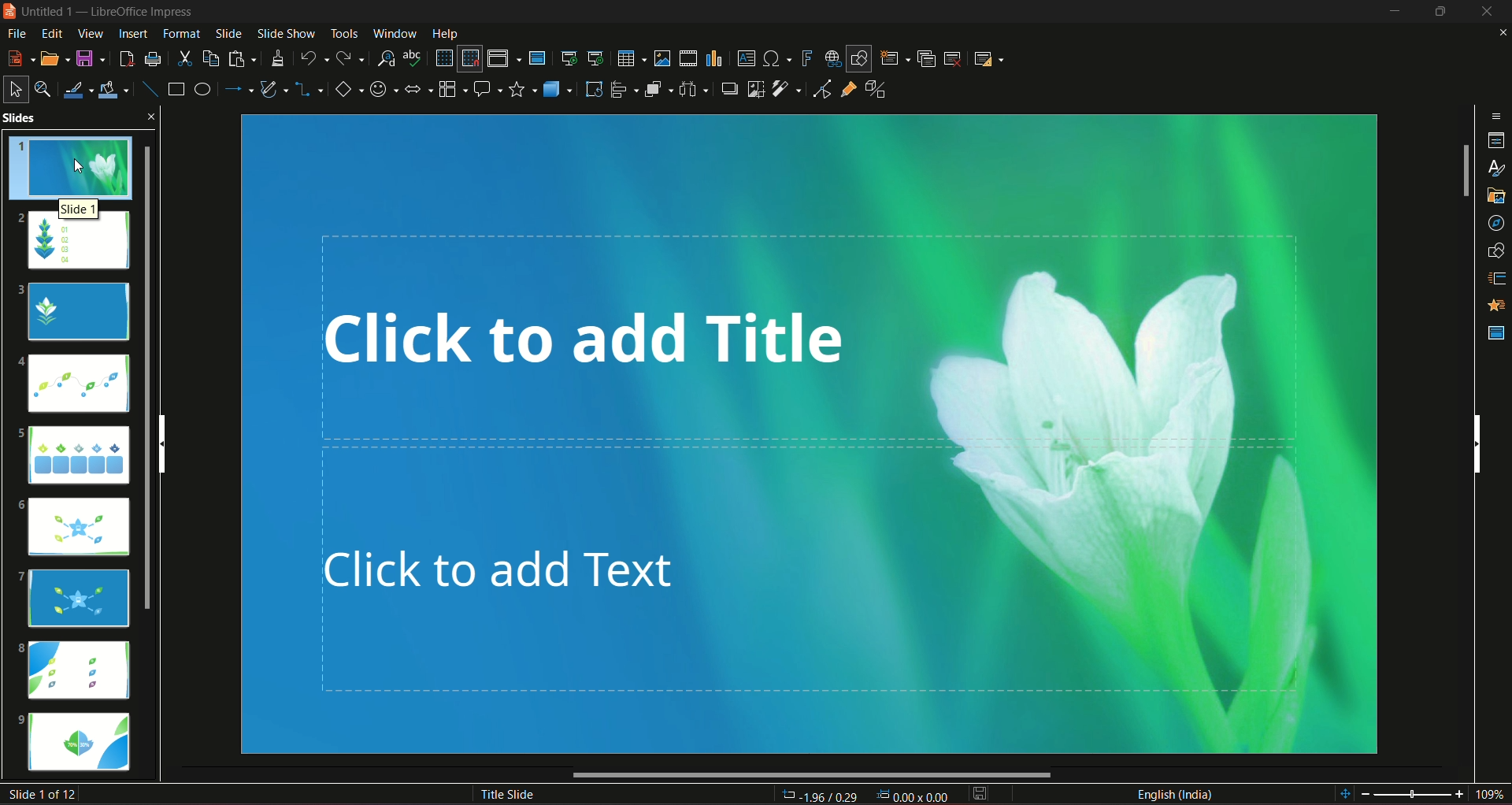  I want to click on slide, so click(228, 33).